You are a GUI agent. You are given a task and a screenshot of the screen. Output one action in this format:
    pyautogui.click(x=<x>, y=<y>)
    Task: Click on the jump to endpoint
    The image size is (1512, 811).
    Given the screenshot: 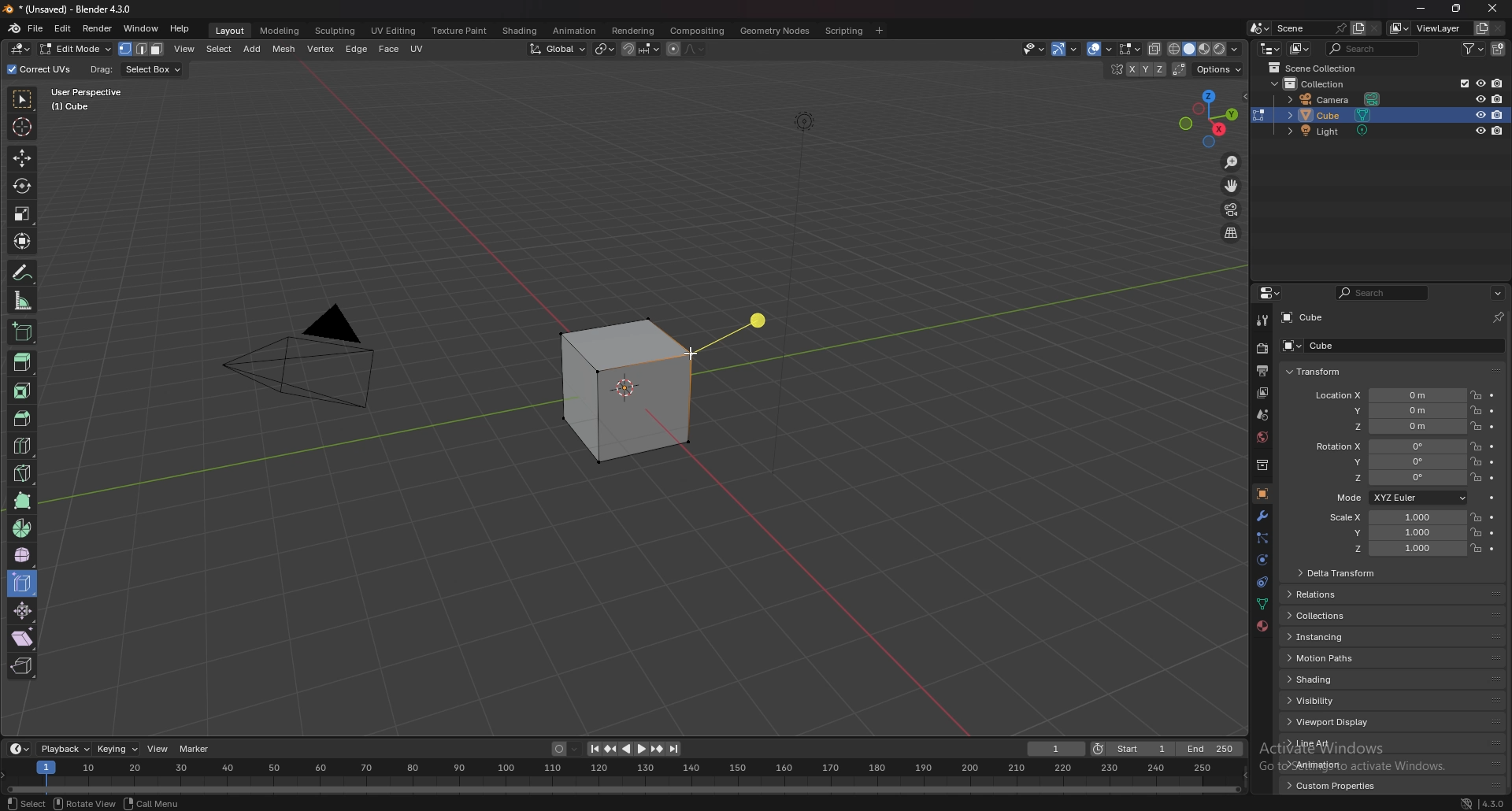 What is the action you would take?
    pyautogui.click(x=592, y=749)
    